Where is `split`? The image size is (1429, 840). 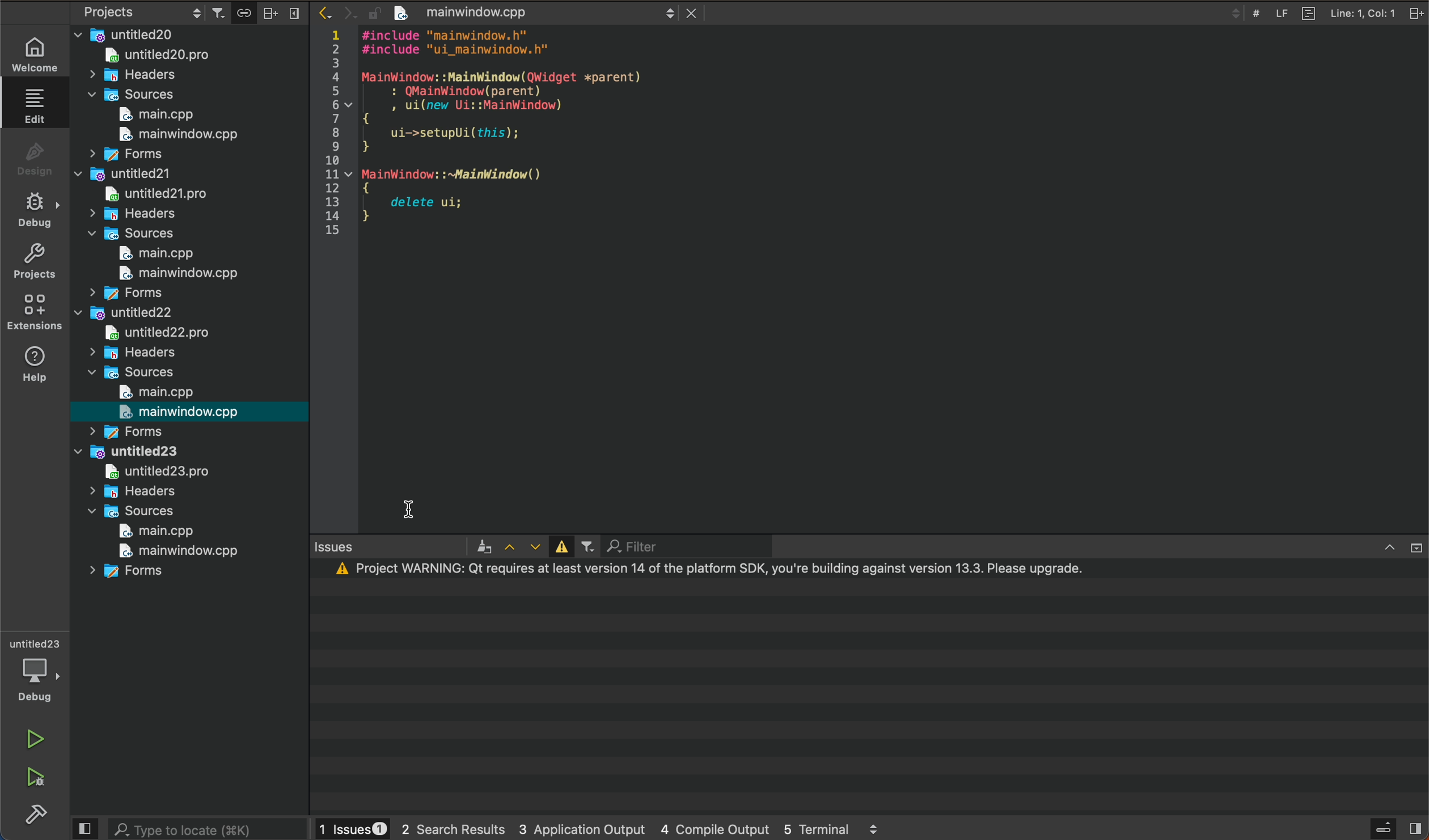 split is located at coordinates (1417, 12).